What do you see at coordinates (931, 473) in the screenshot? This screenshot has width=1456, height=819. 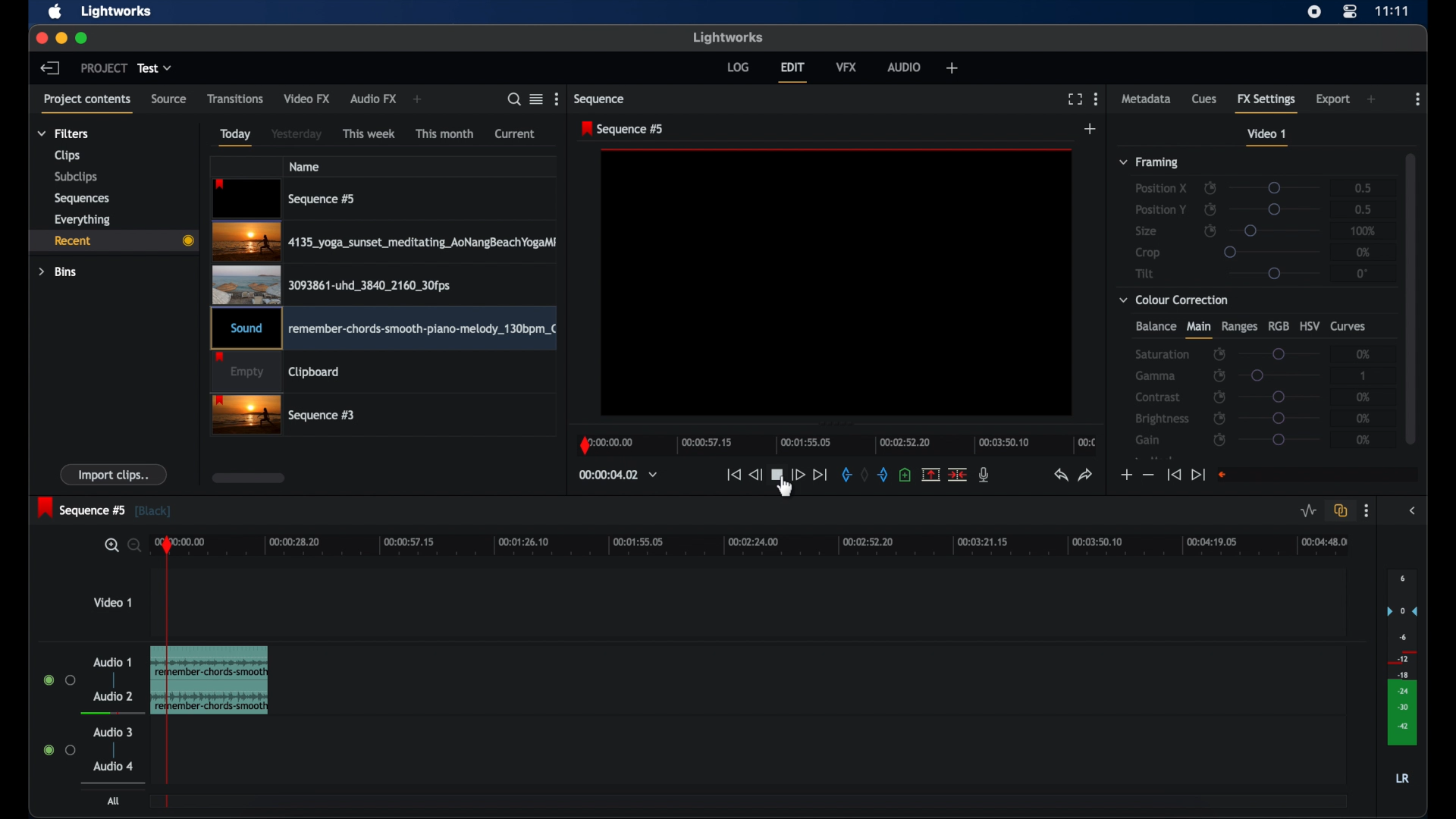 I see `remove marked section` at bounding box center [931, 473].